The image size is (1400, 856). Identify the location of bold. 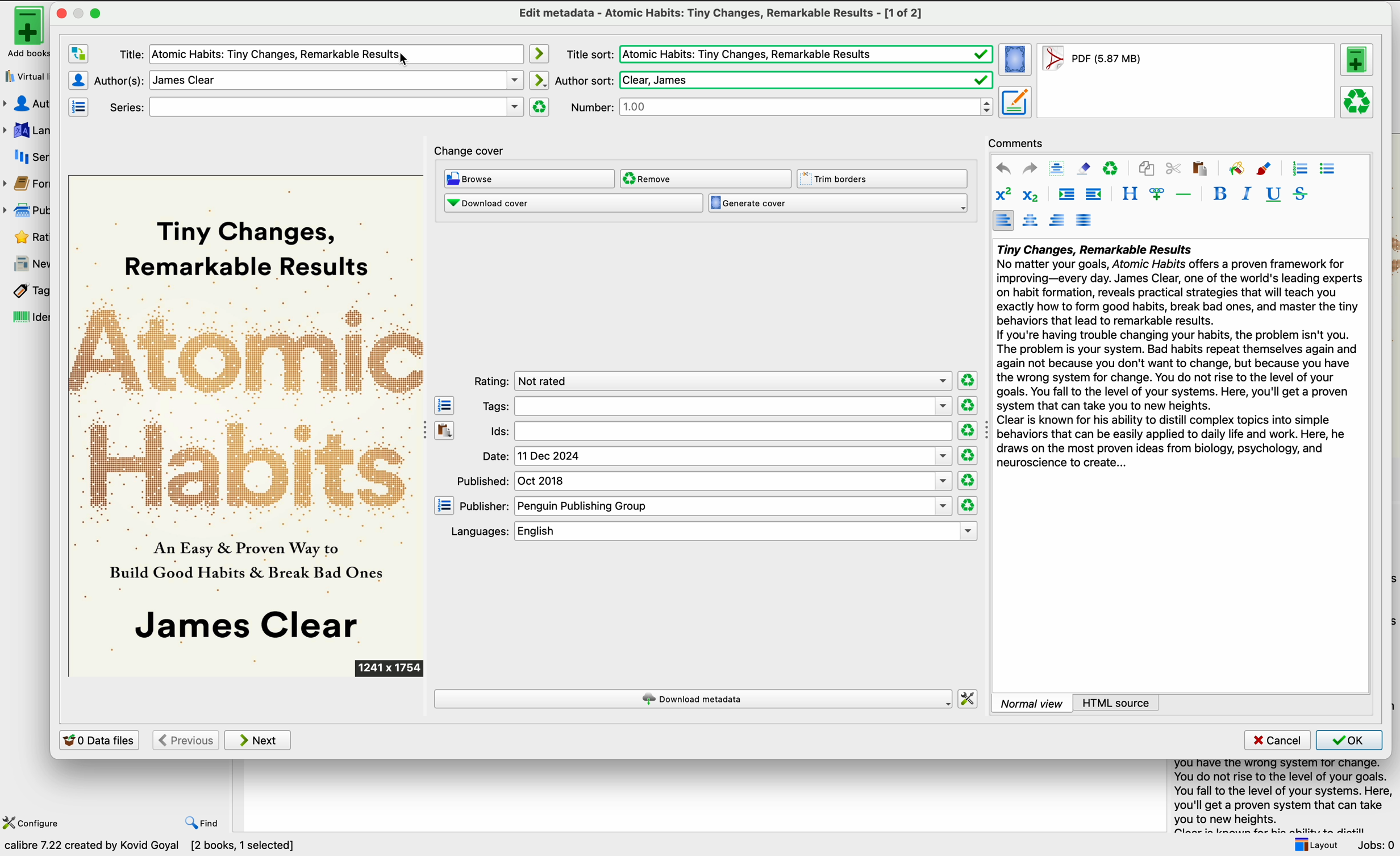
(1220, 193).